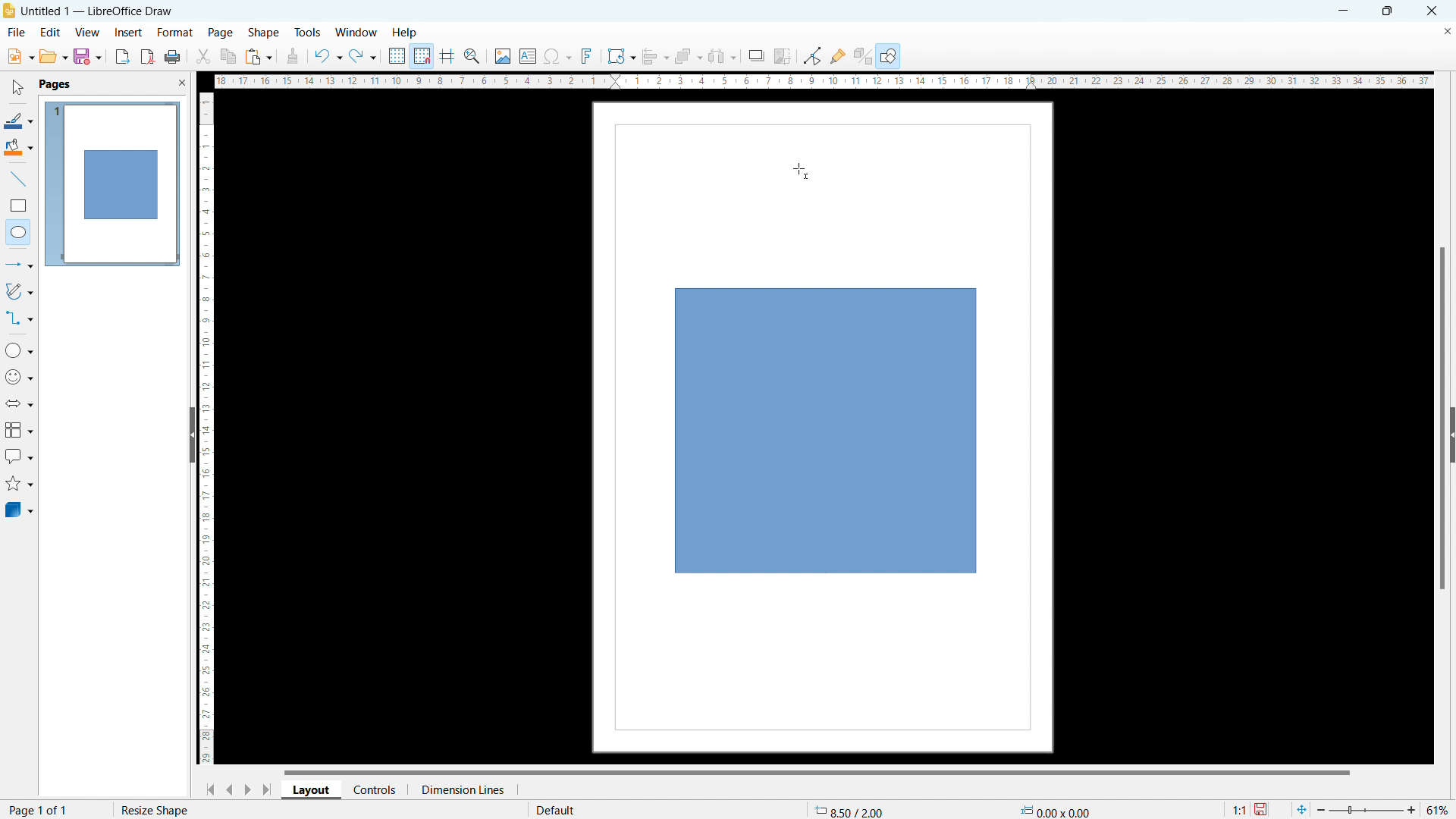 The image size is (1456, 819). Describe the element at coordinates (1365, 810) in the screenshot. I see `slider` at that location.